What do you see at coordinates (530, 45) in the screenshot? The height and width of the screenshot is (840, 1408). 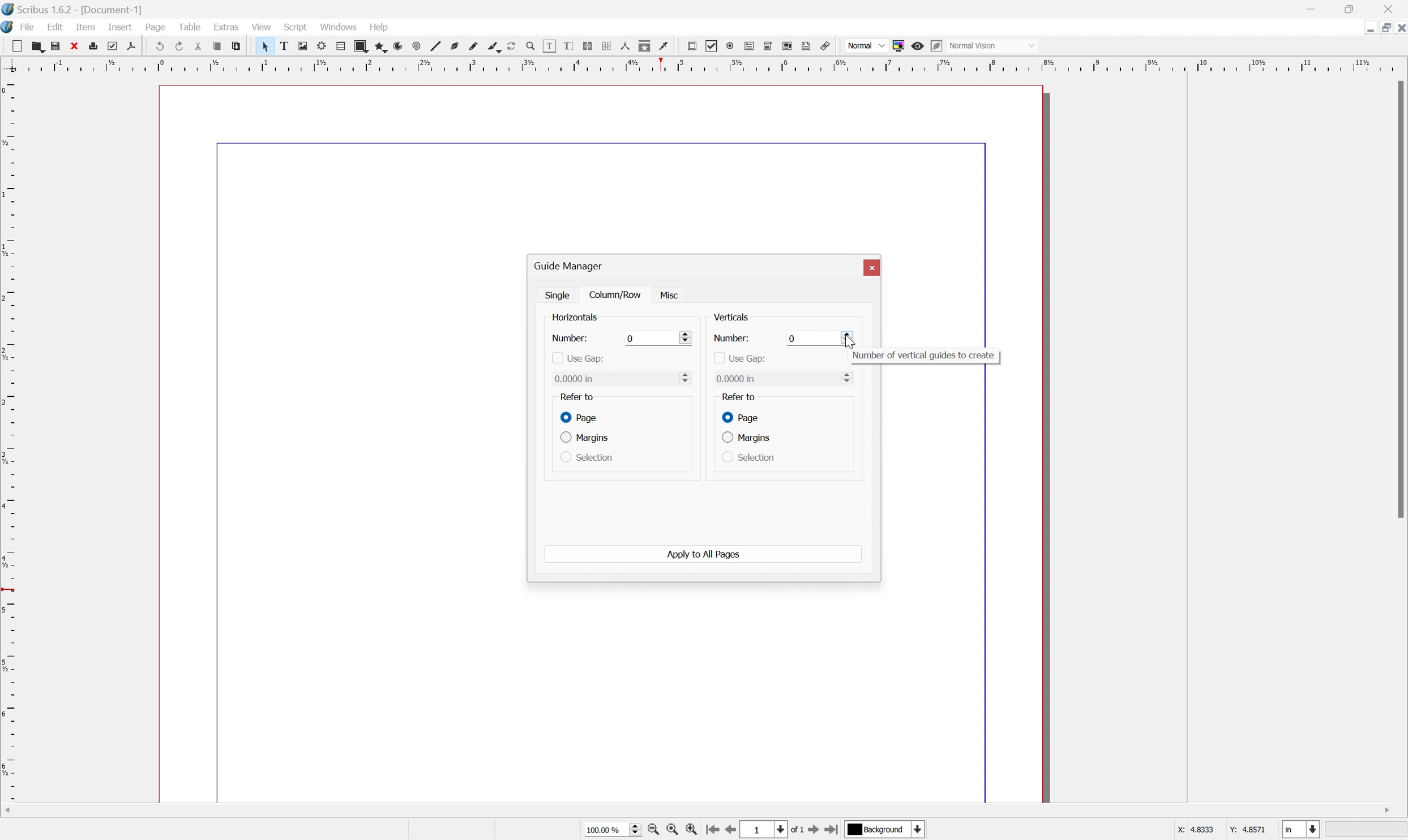 I see `zoom in or zoom out` at bounding box center [530, 45].